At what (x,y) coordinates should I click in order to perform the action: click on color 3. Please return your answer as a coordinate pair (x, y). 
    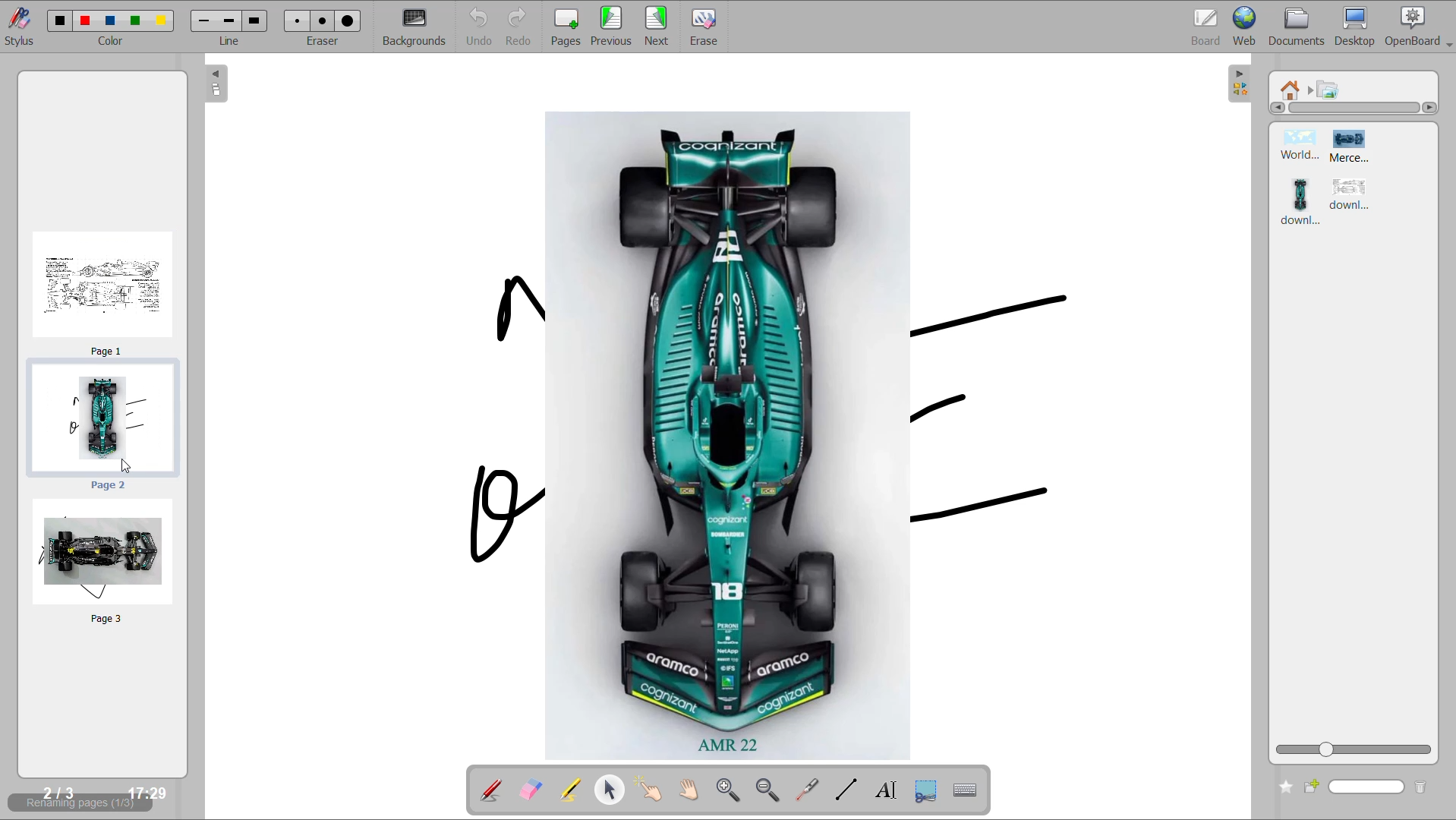
    Looking at the image, I should click on (110, 20).